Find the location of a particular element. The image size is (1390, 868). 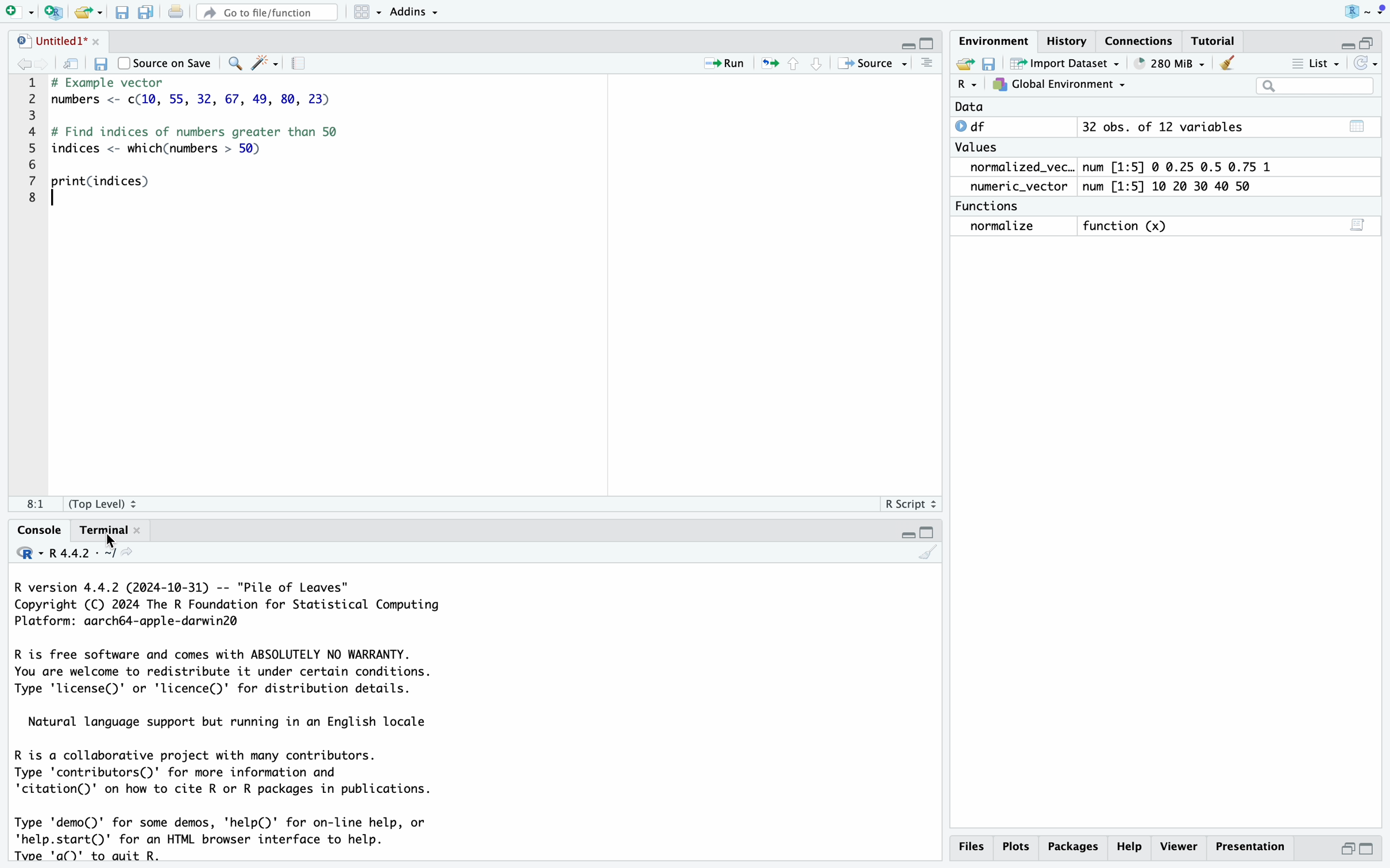

new file is located at coordinates (17, 12).